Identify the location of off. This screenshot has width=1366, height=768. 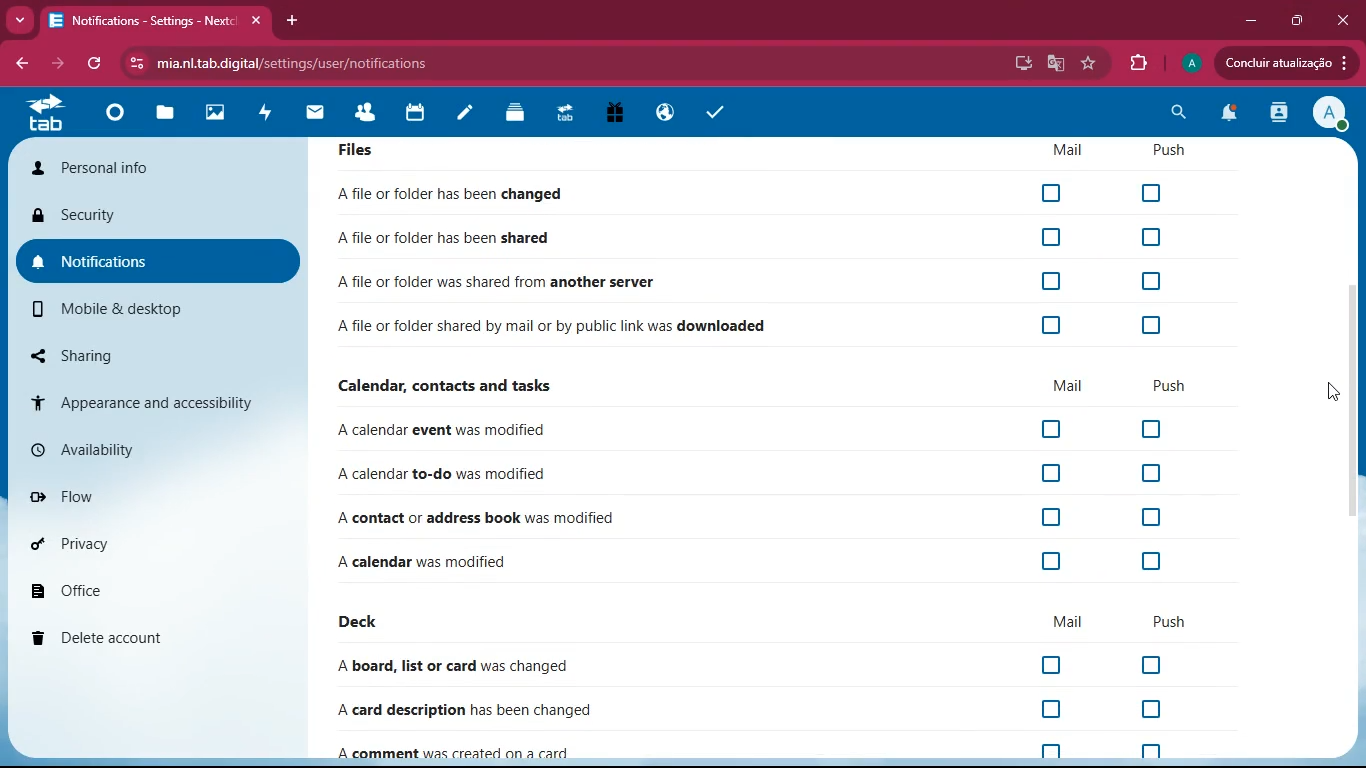
(1145, 665).